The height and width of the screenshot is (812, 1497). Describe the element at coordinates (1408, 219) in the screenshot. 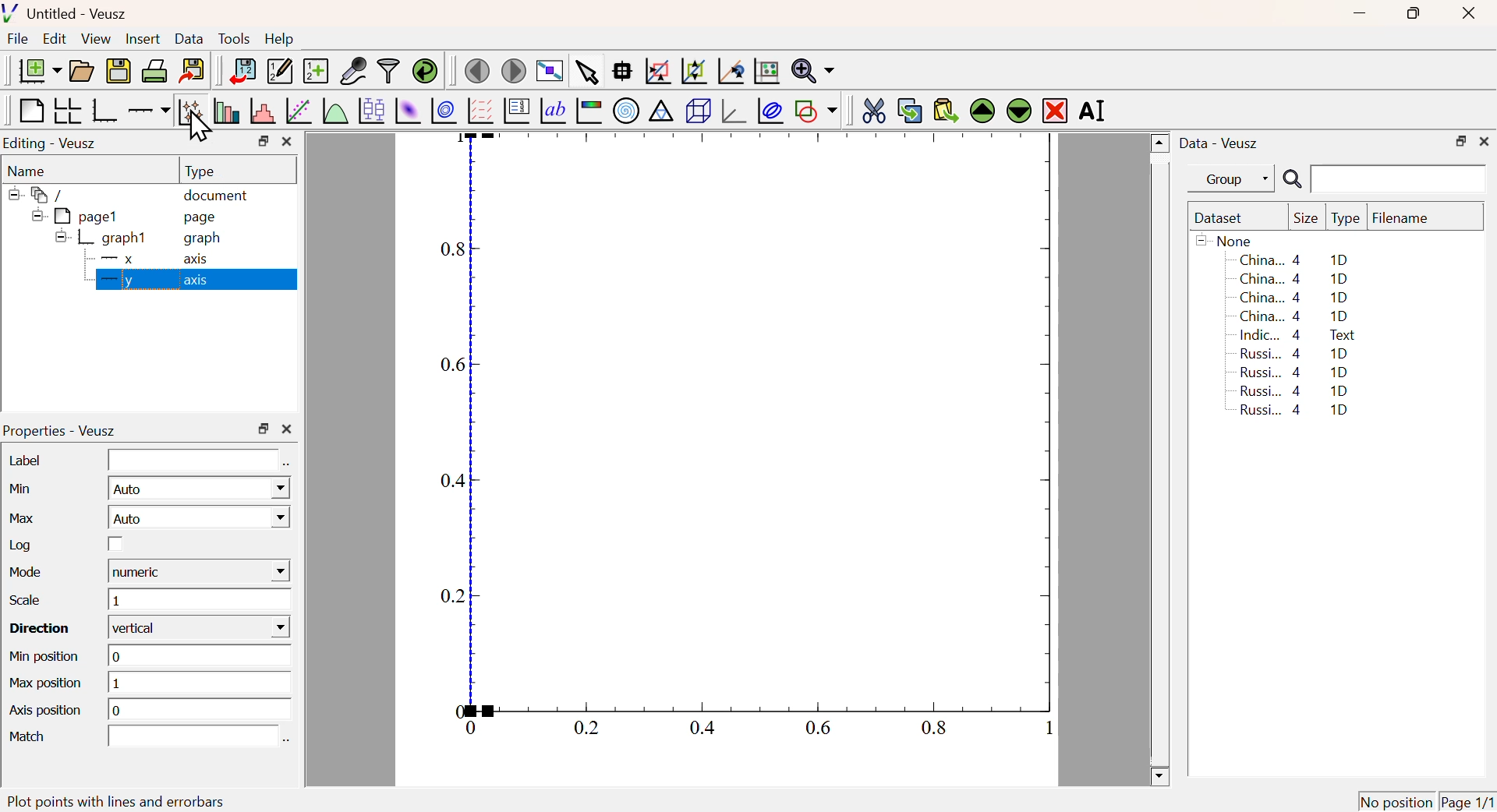

I see `Filename` at that location.